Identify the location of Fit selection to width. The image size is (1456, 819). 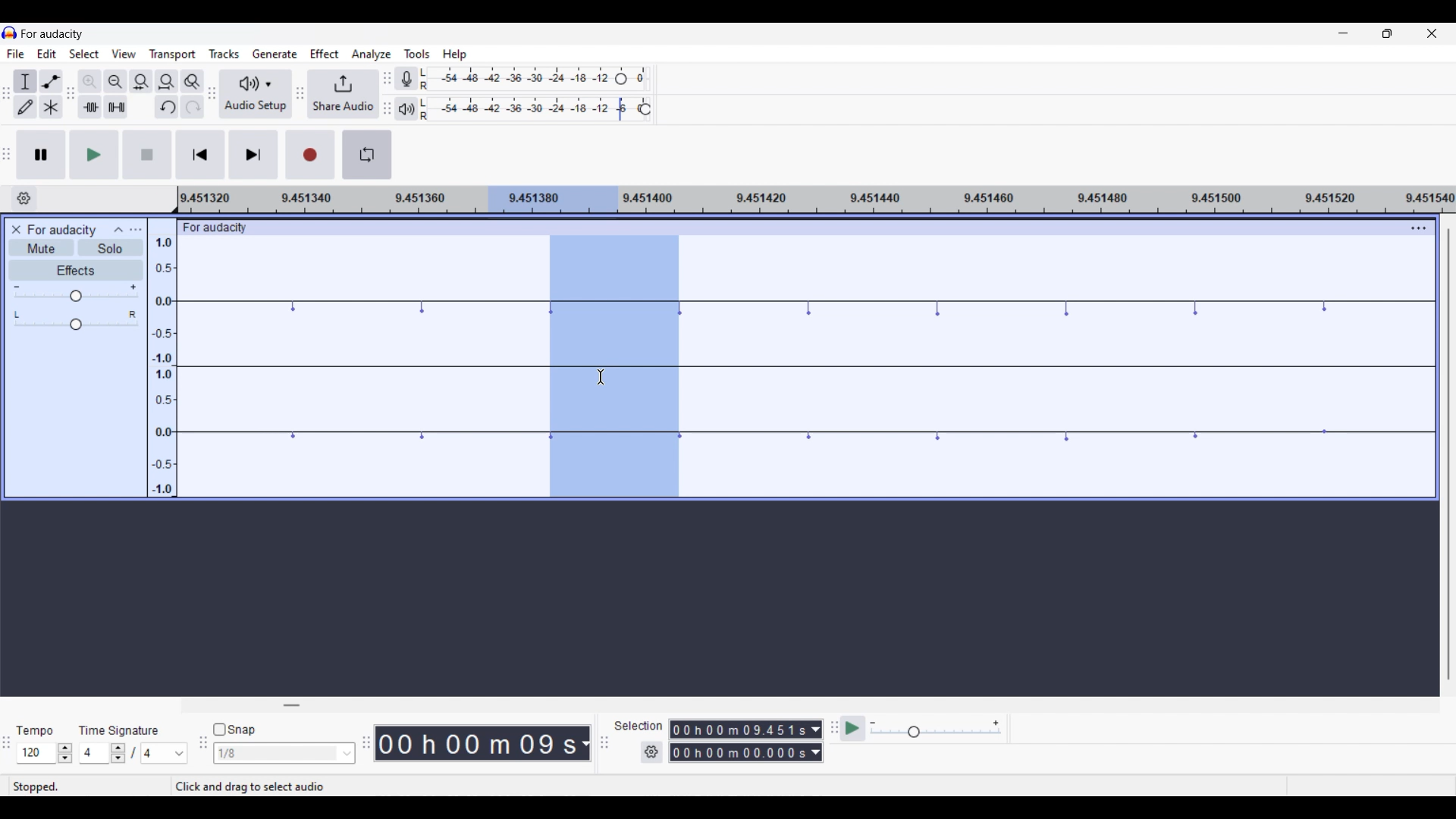
(142, 81).